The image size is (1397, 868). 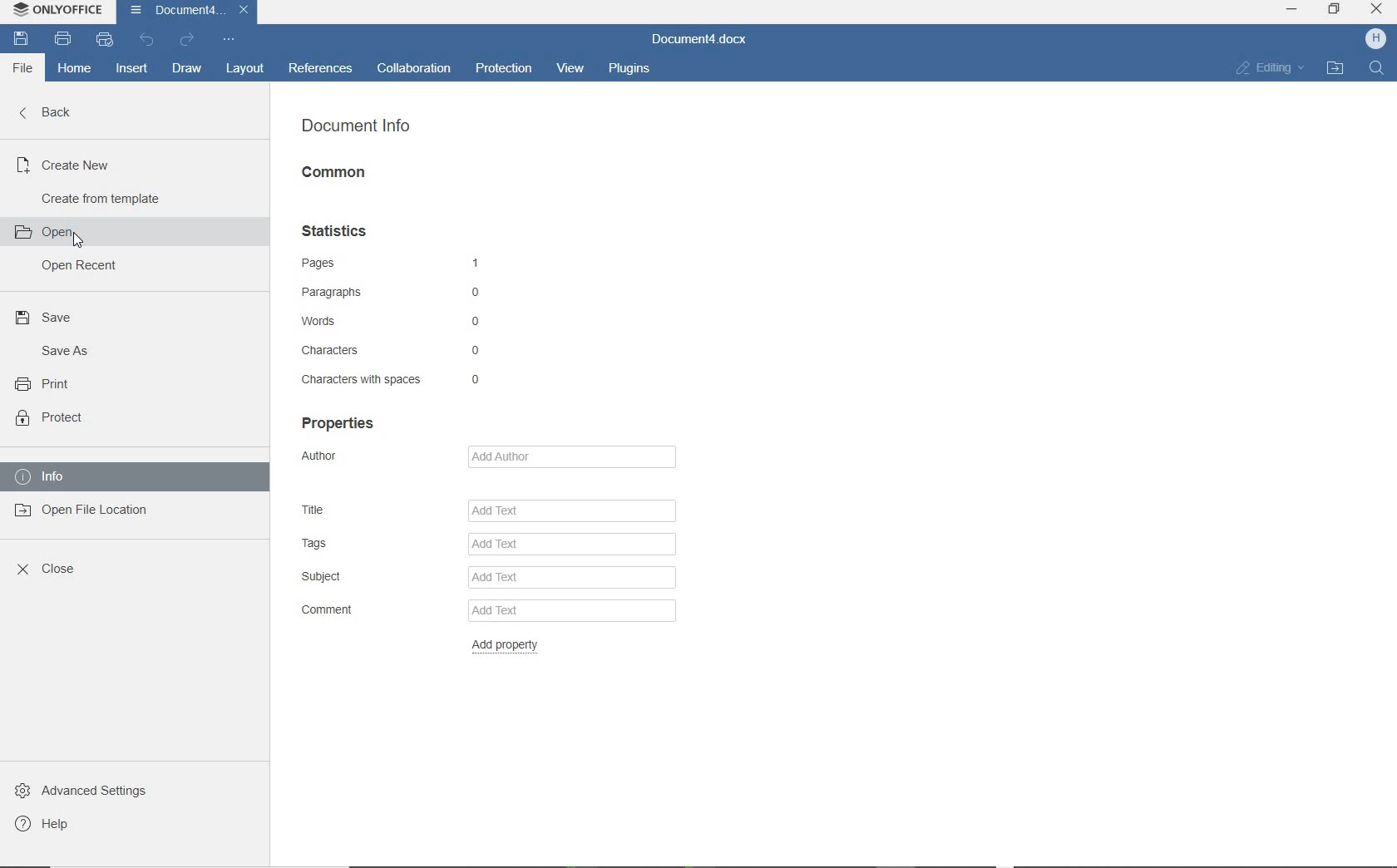 I want to click on EDITING, so click(x=1271, y=67).